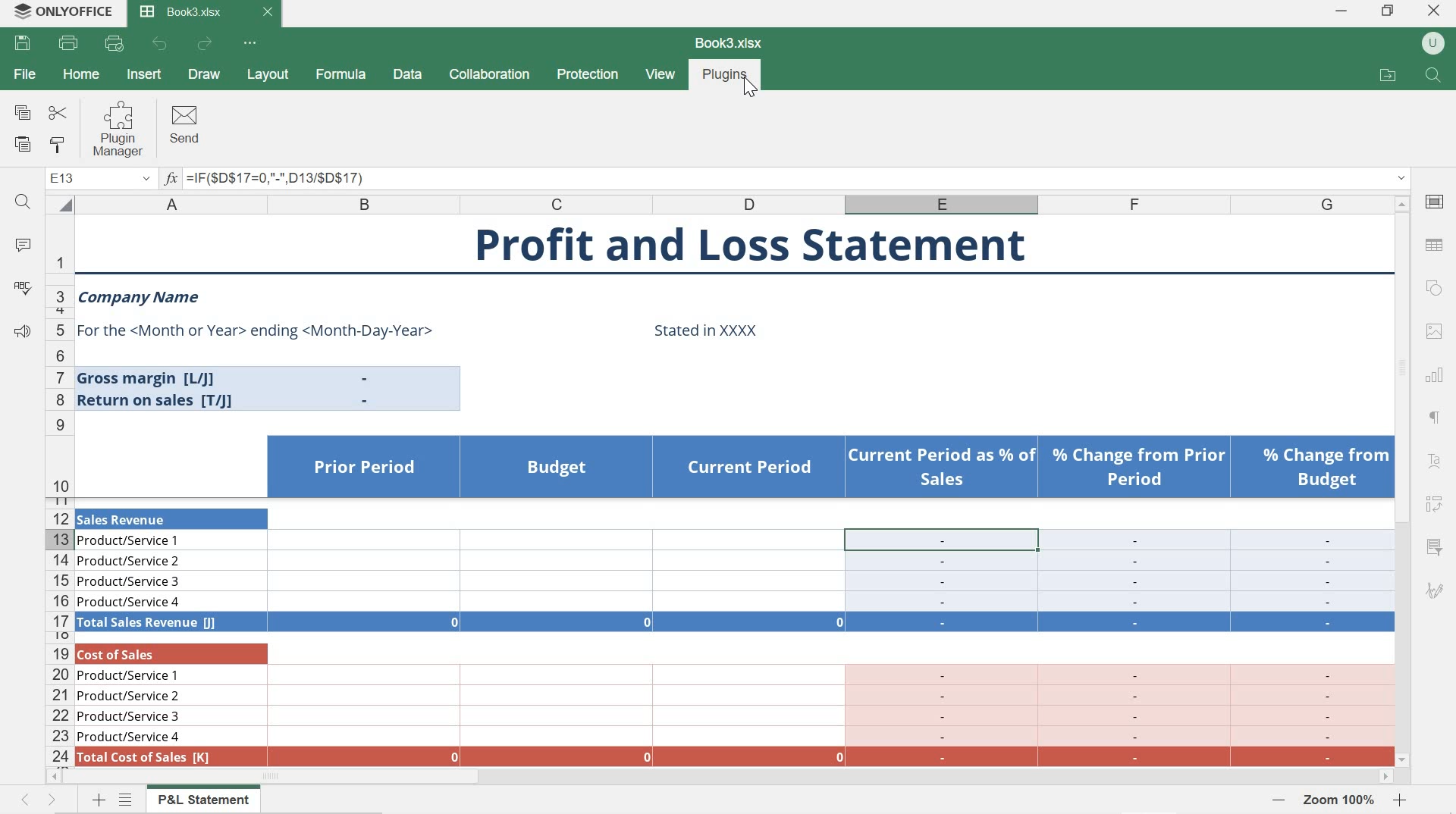 Image resolution: width=1456 pixels, height=814 pixels. Describe the element at coordinates (206, 76) in the screenshot. I see `draw` at that location.